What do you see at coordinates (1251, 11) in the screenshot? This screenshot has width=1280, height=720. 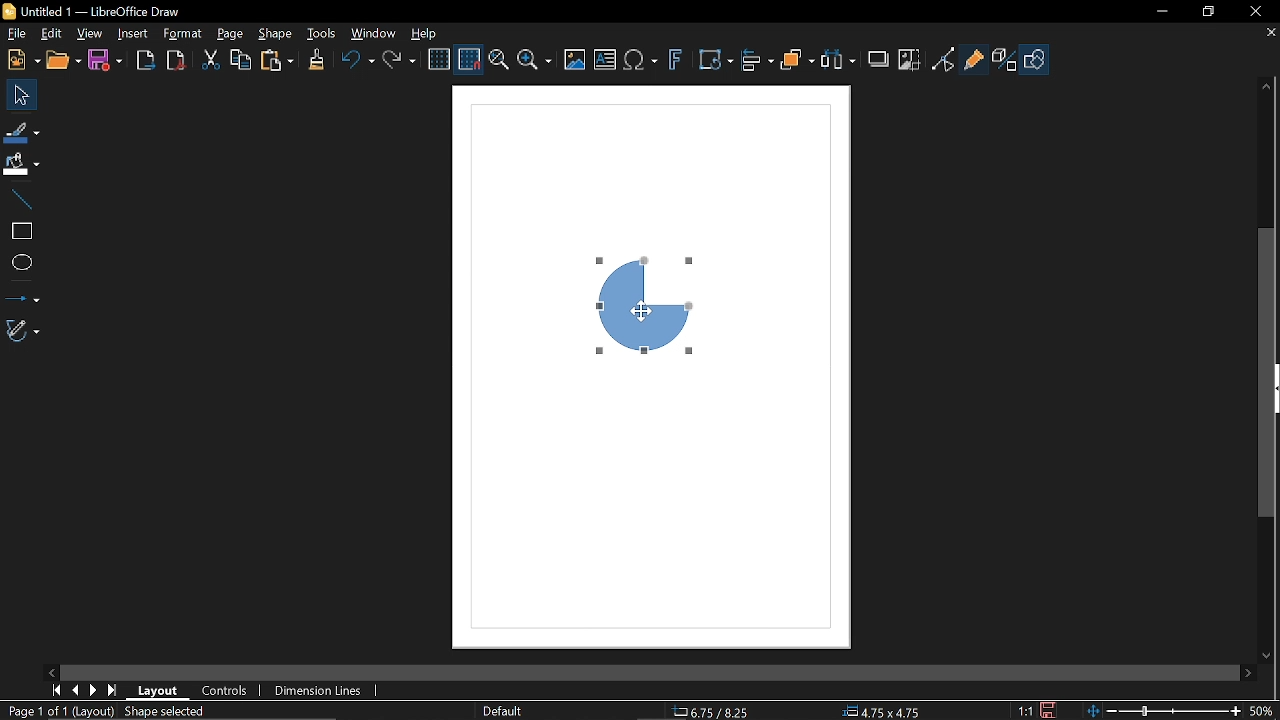 I see `Close` at bounding box center [1251, 11].